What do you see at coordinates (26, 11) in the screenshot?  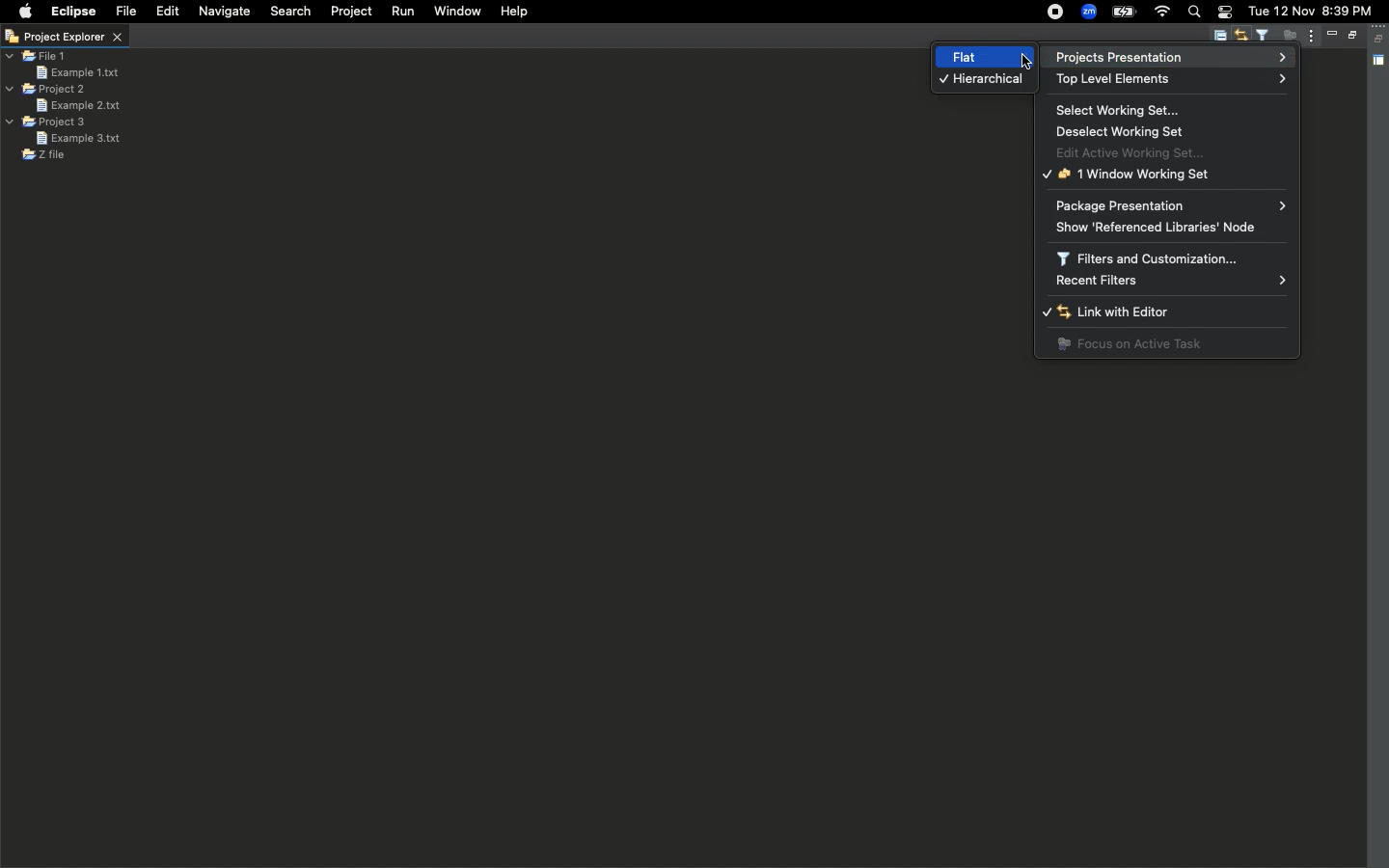 I see `Apple logo` at bounding box center [26, 11].